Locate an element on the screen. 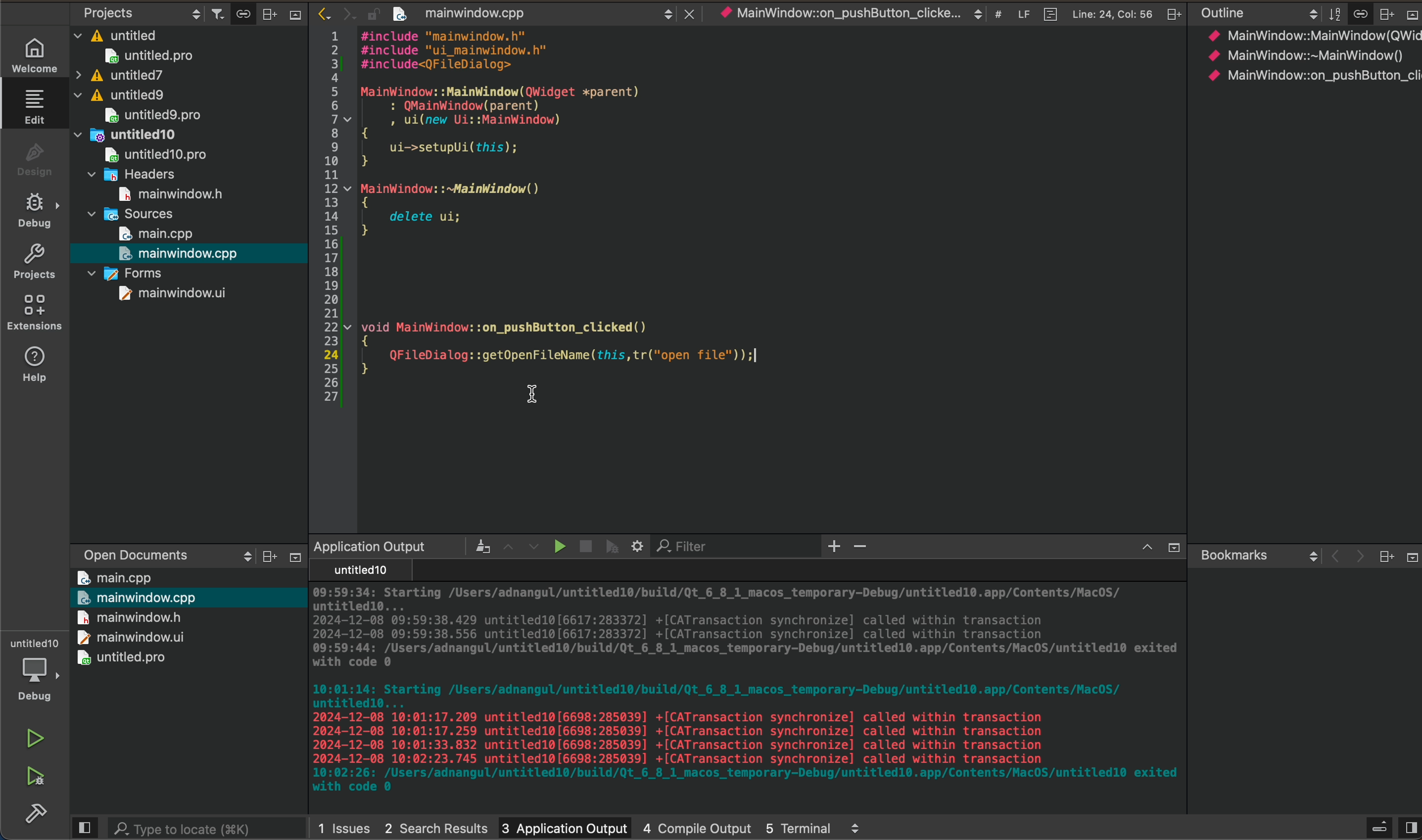 The width and height of the screenshot is (1422, 840). file is located at coordinates (1047, 12).